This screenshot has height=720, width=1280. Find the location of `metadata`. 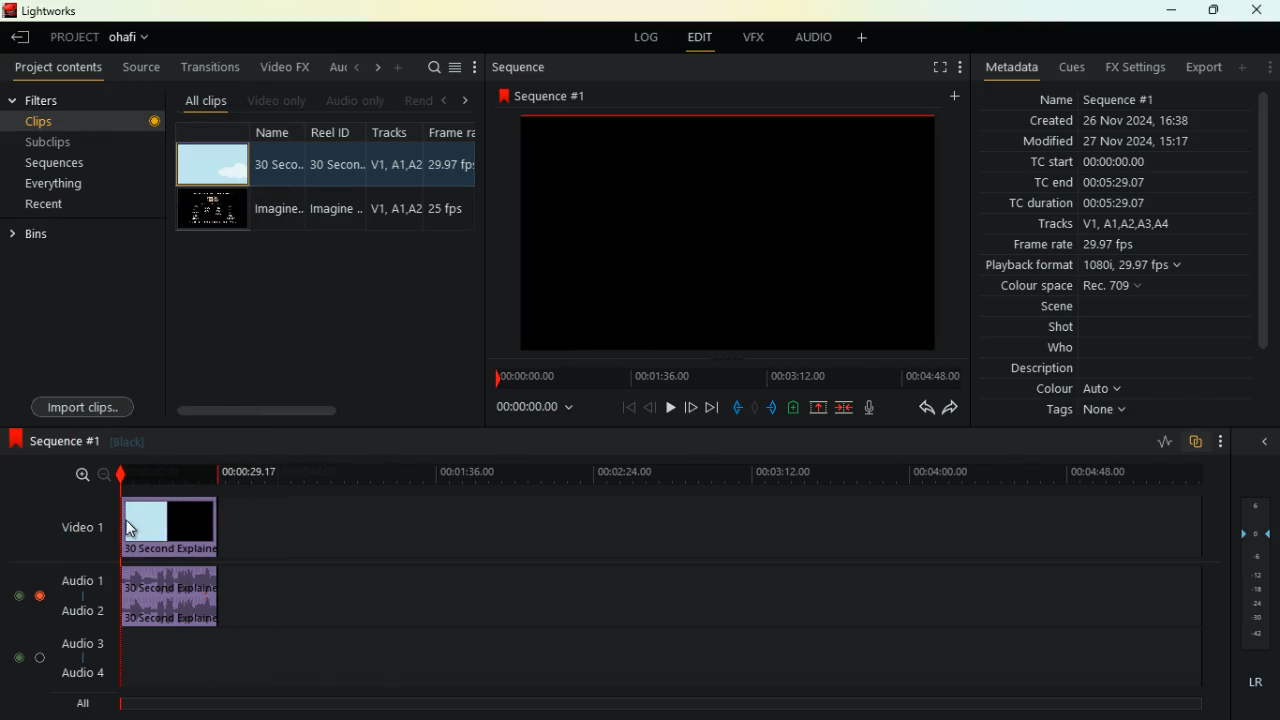

metadata is located at coordinates (1012, 66).